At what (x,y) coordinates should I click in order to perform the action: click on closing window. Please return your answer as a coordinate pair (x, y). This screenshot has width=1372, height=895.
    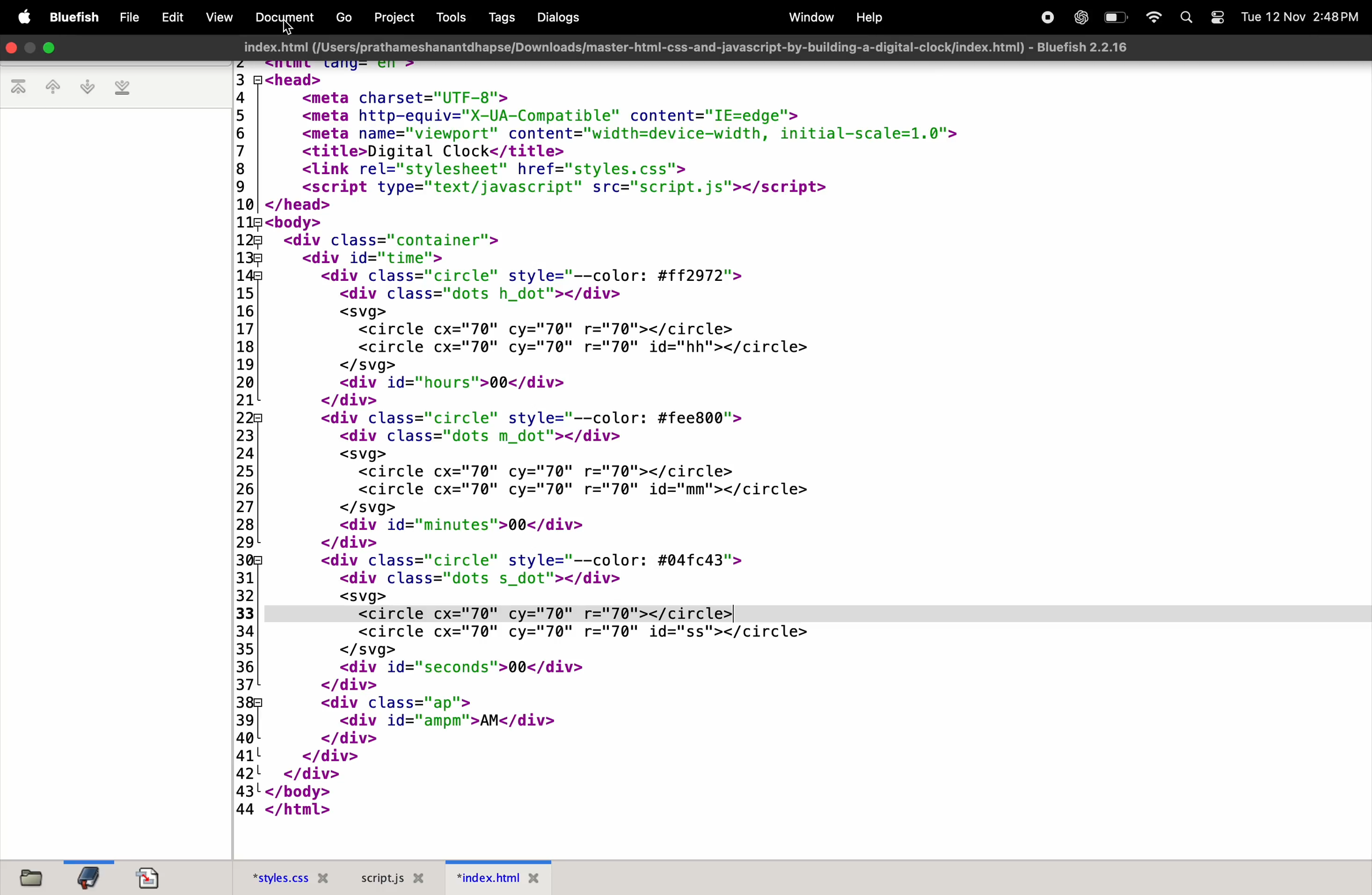
    Looking at the image, I should click on (13, 47).